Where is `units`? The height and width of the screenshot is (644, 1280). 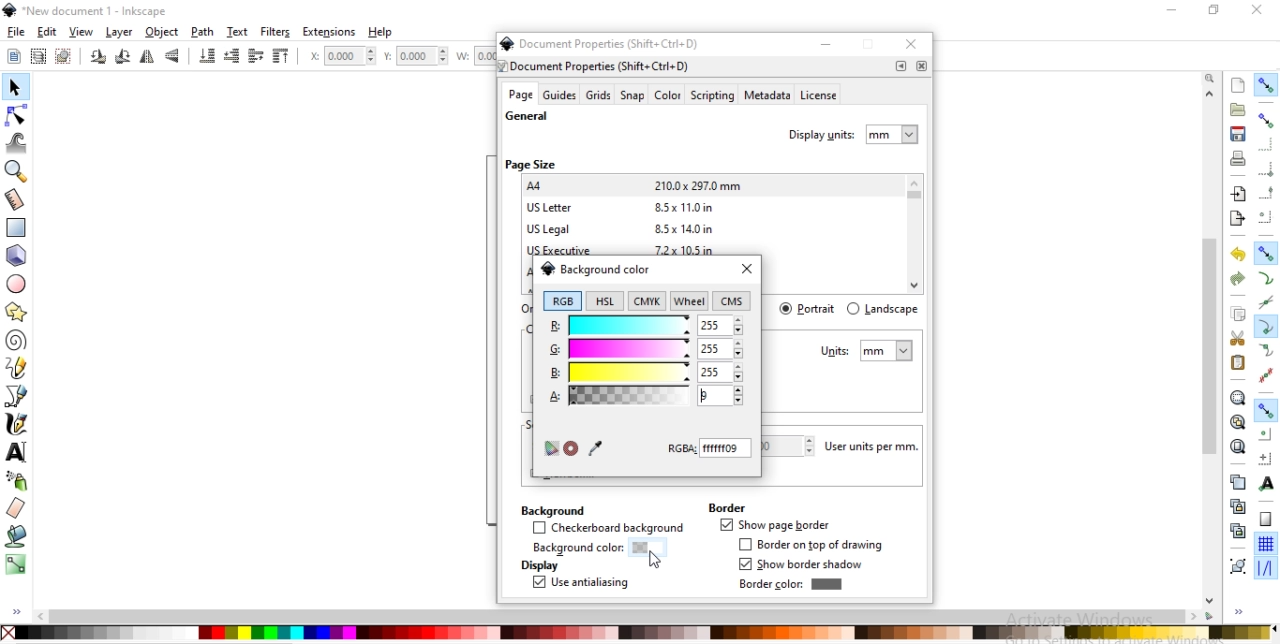 units is located at coordinates (867, 351).